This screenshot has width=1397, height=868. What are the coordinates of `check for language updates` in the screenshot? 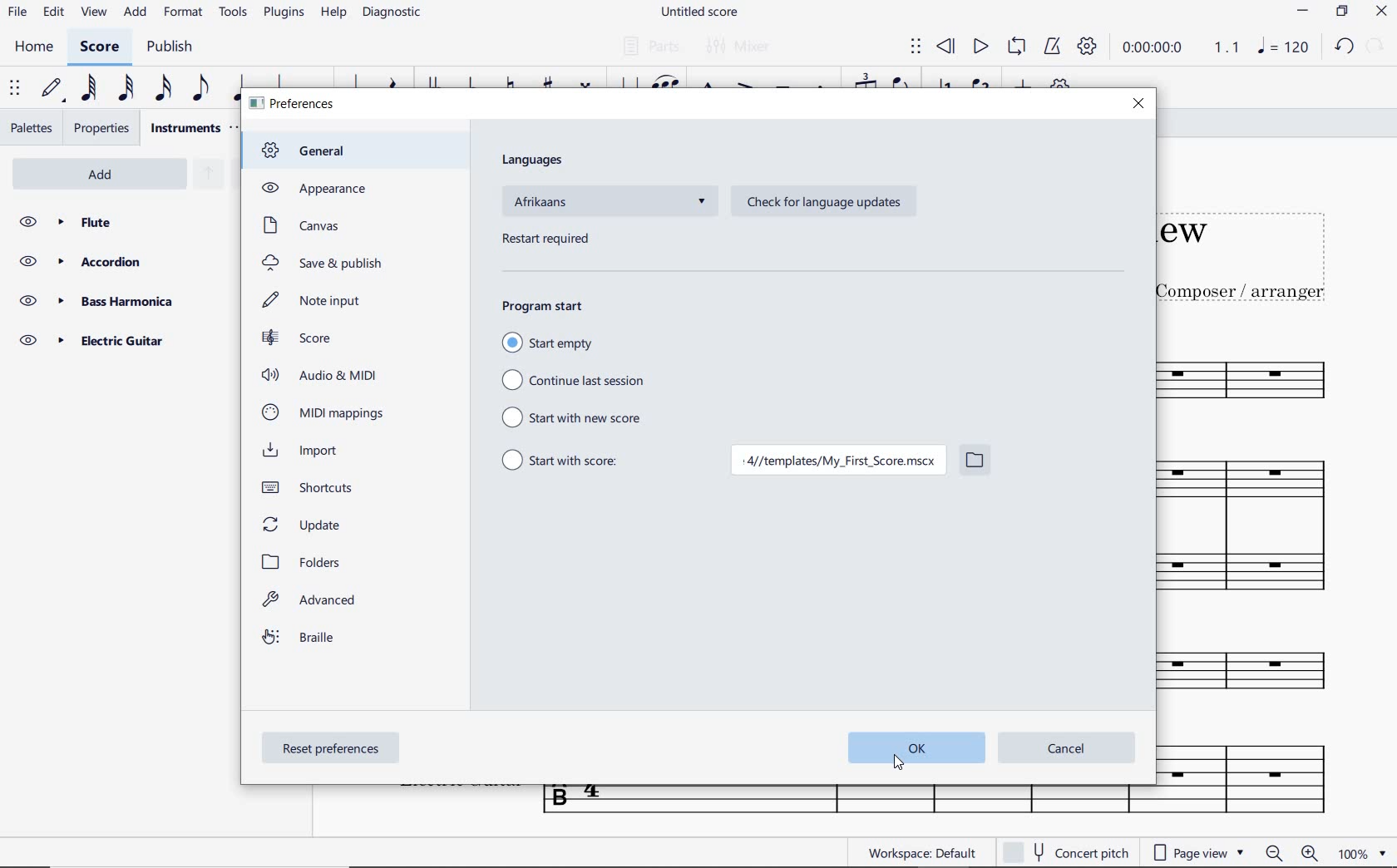 It's located at (820, 203).